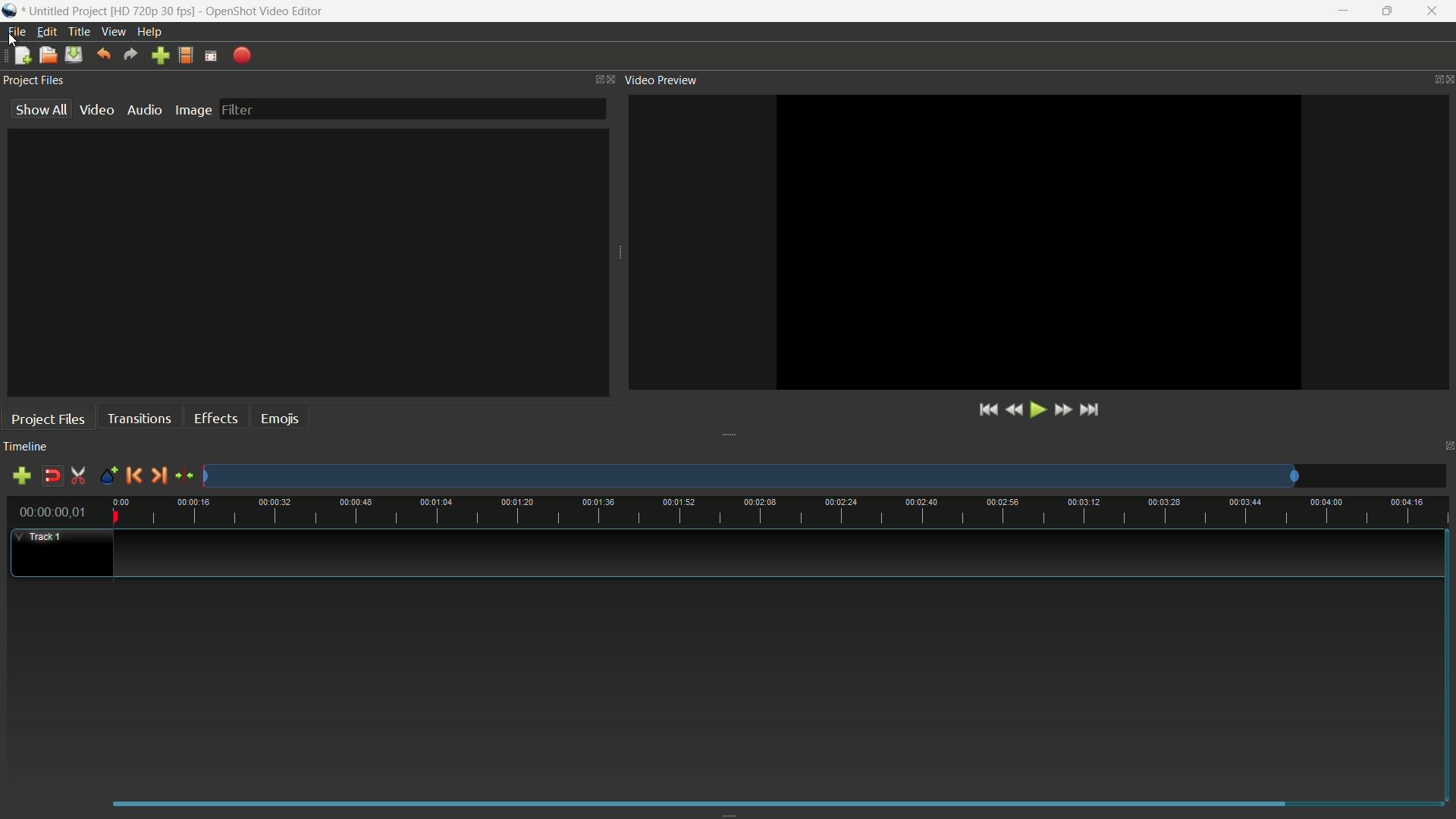 The image size is (1456, 819). What do you see at coordinates (595, 80) in the screenshot?
I see `change layout` at bounding box center [595, 80].